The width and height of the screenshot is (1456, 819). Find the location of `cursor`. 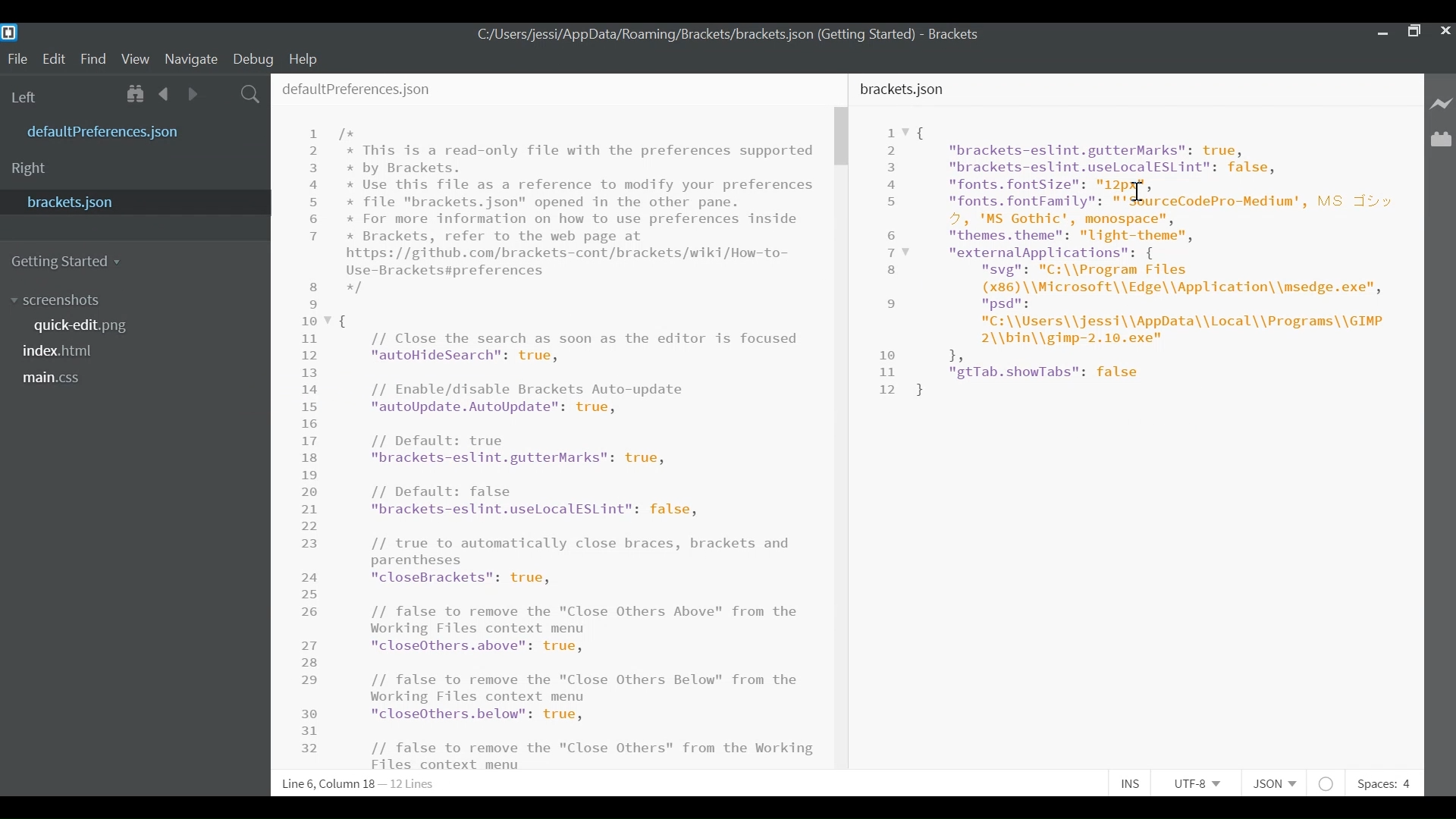

cursor is located at coordinates (1142, 188).